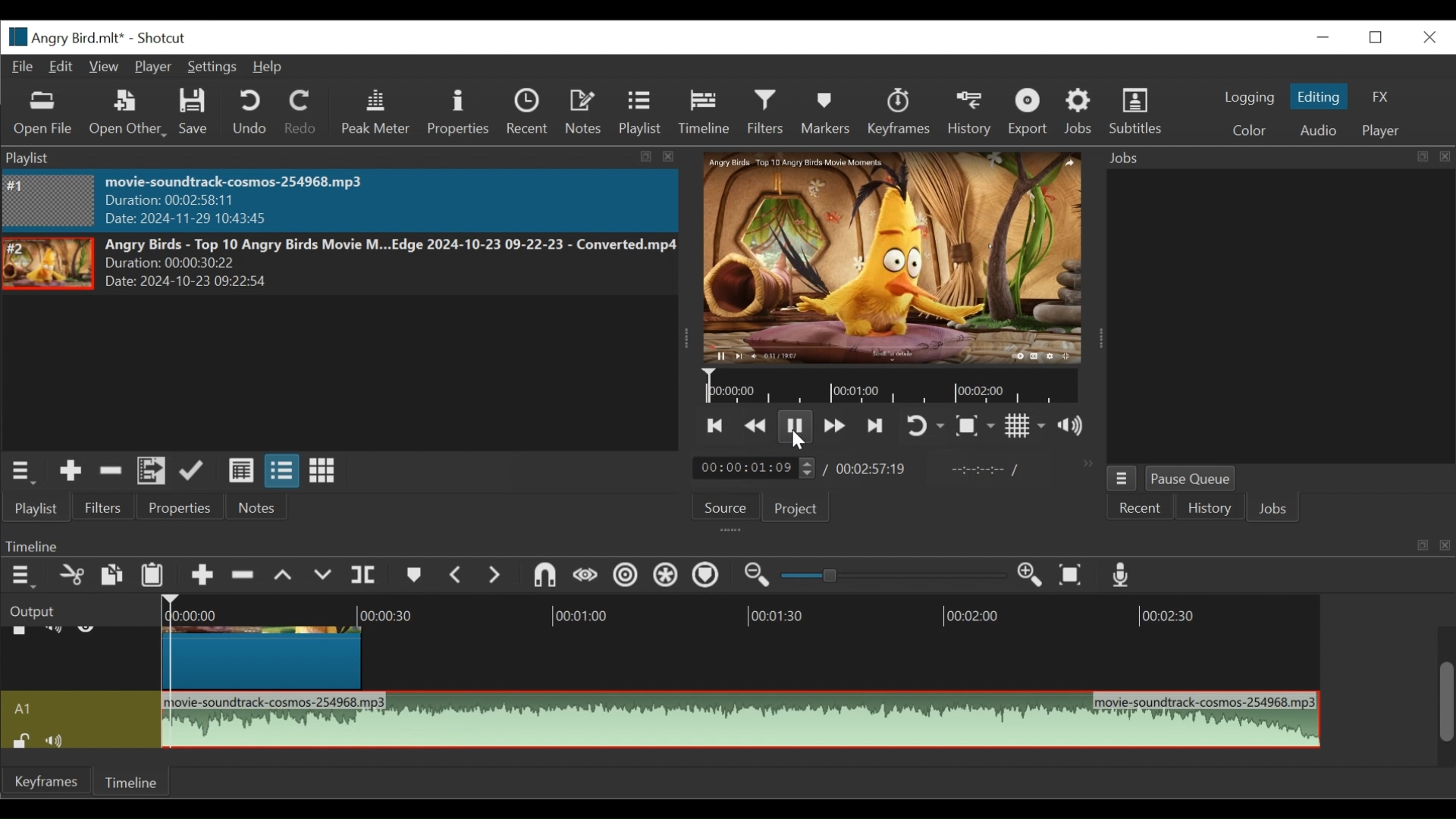  What do you see at coordinates (703, 112) in the screenshot?
I see `Timeline` at bounding box center [703, 112].